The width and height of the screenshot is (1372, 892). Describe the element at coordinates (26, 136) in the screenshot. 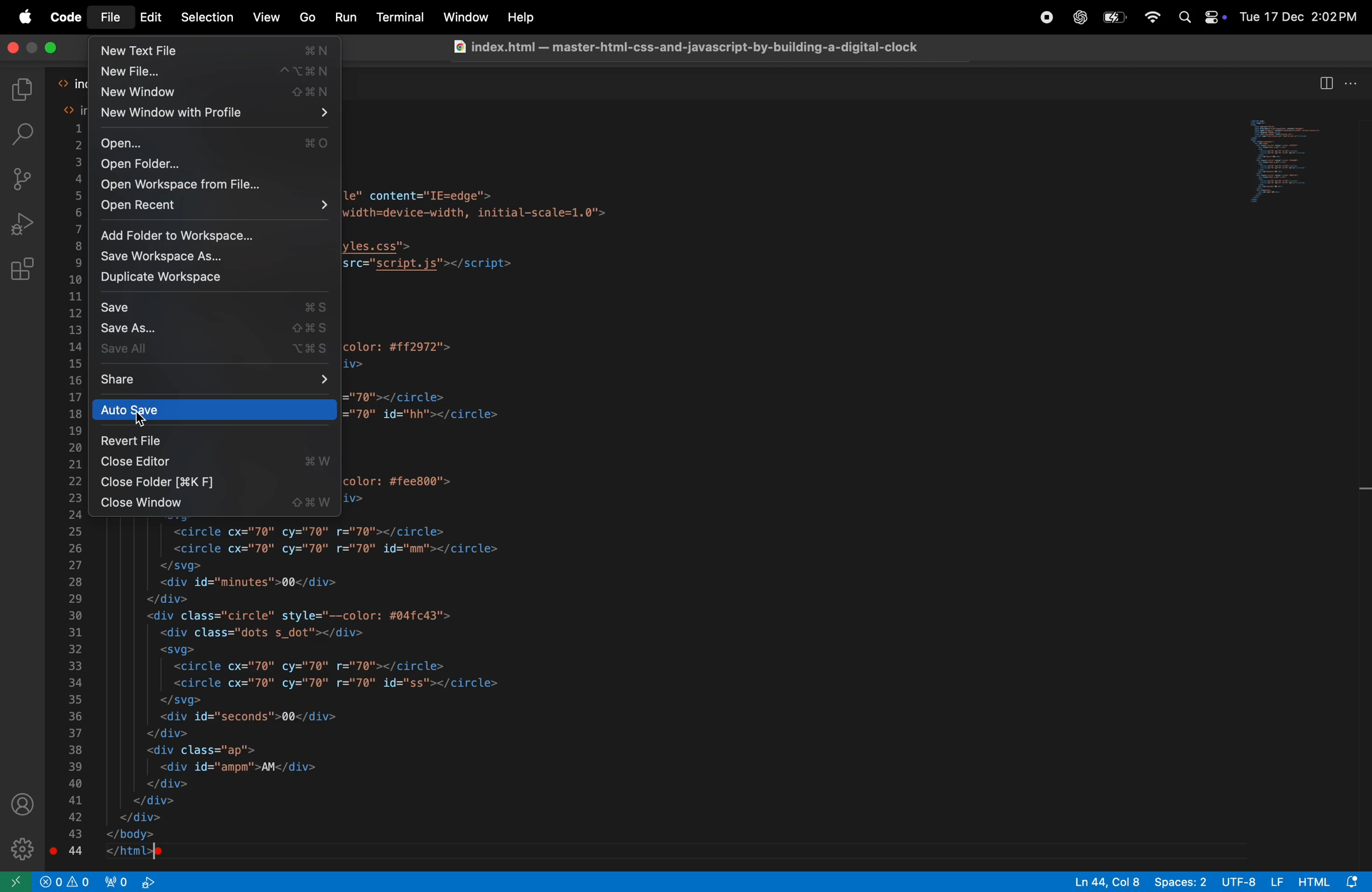

I see `search` at that location.